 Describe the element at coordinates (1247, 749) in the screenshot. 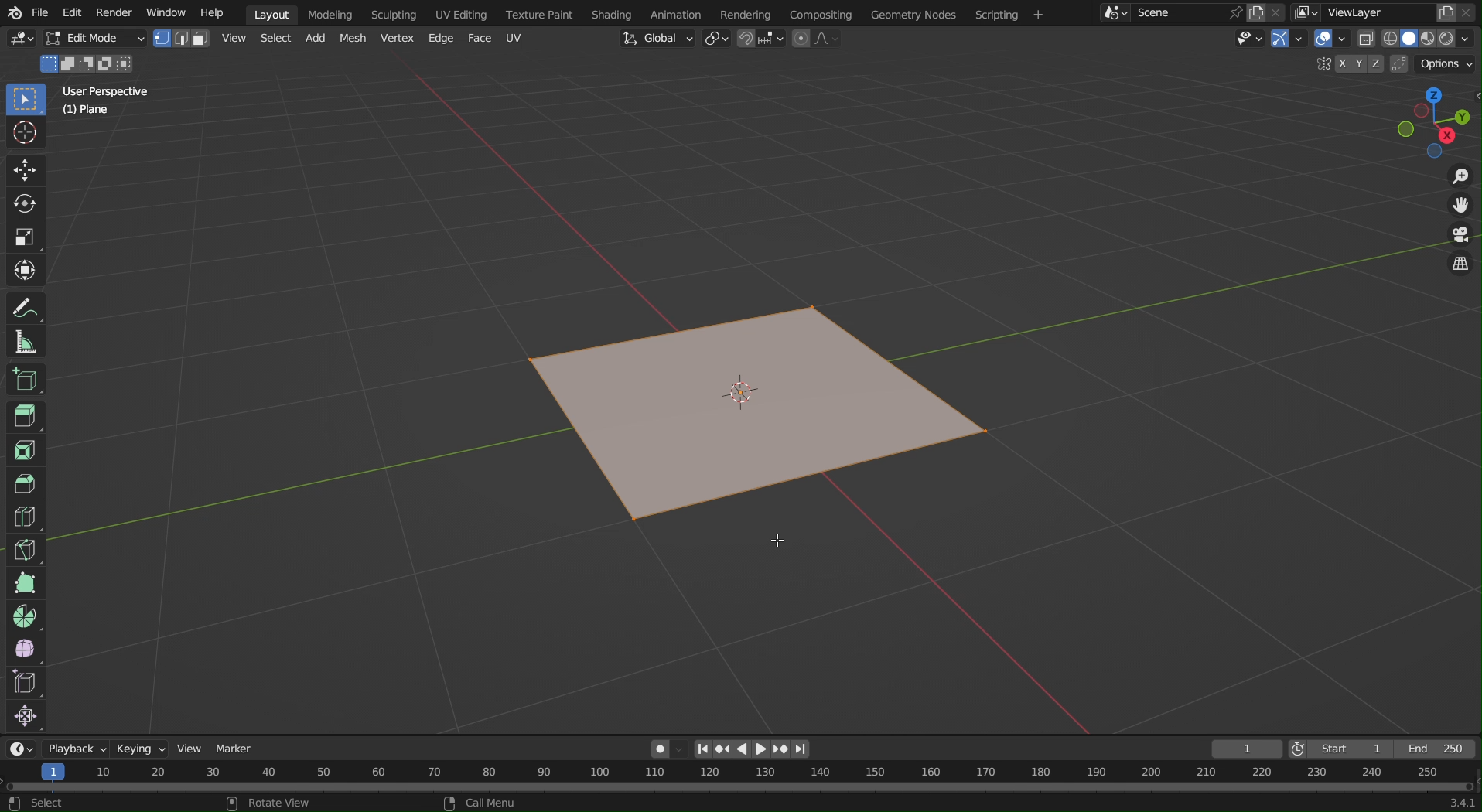

I see `Frame` at that location.